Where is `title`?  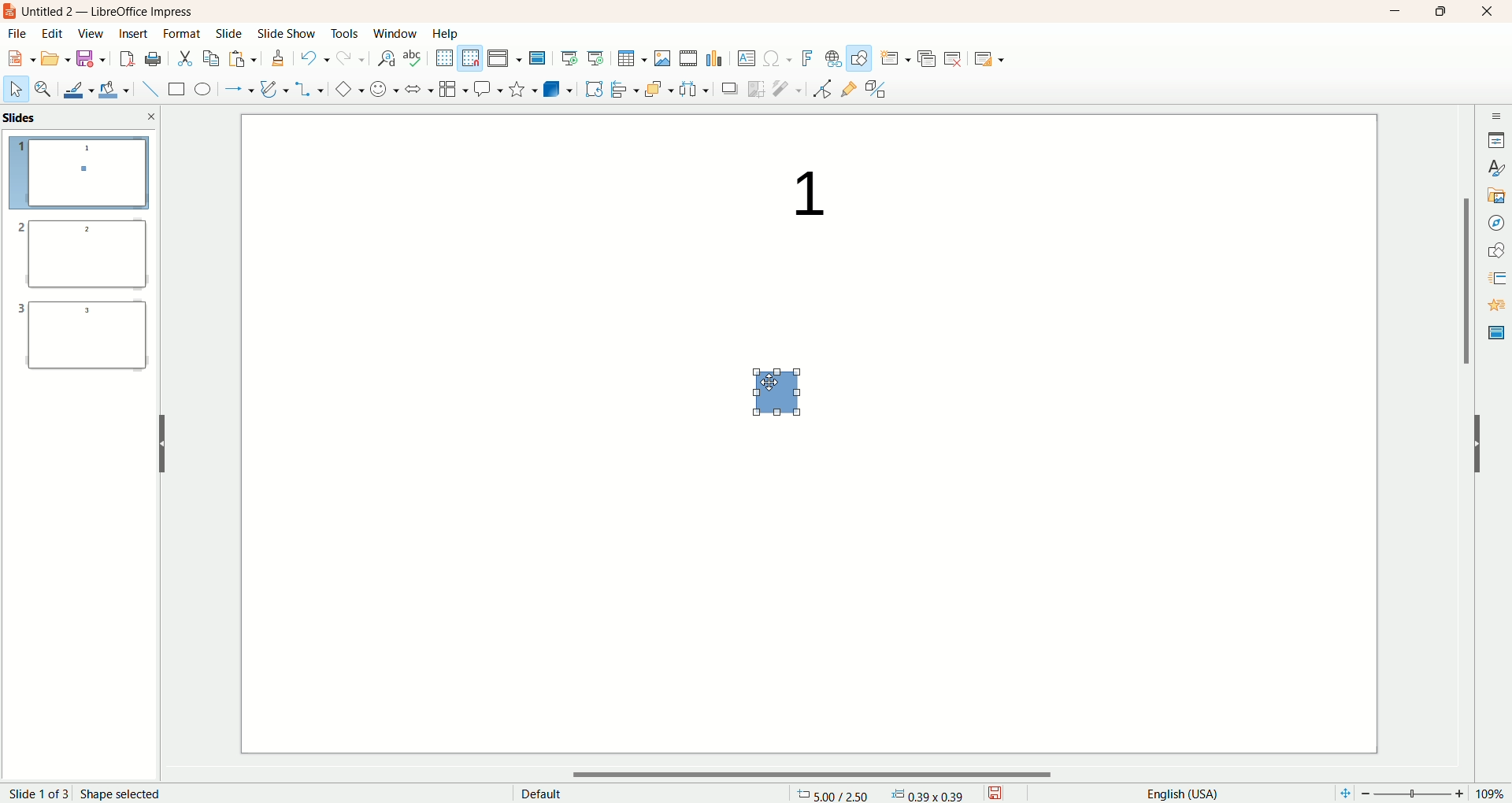
title is located at coordinates (116, 12).